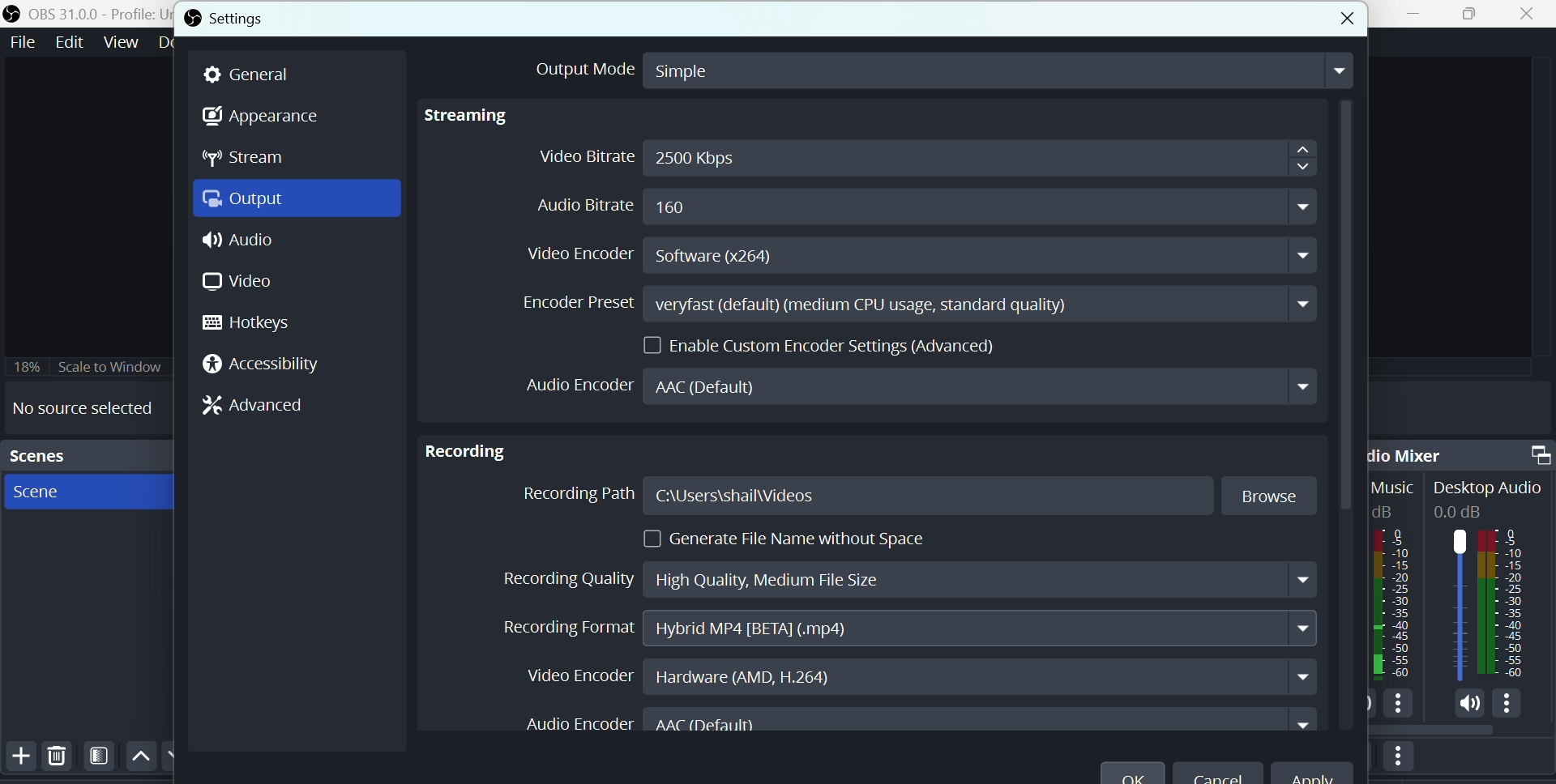 This screenshot has width=1556, height=784. I want to click on View, so click(120, 42).